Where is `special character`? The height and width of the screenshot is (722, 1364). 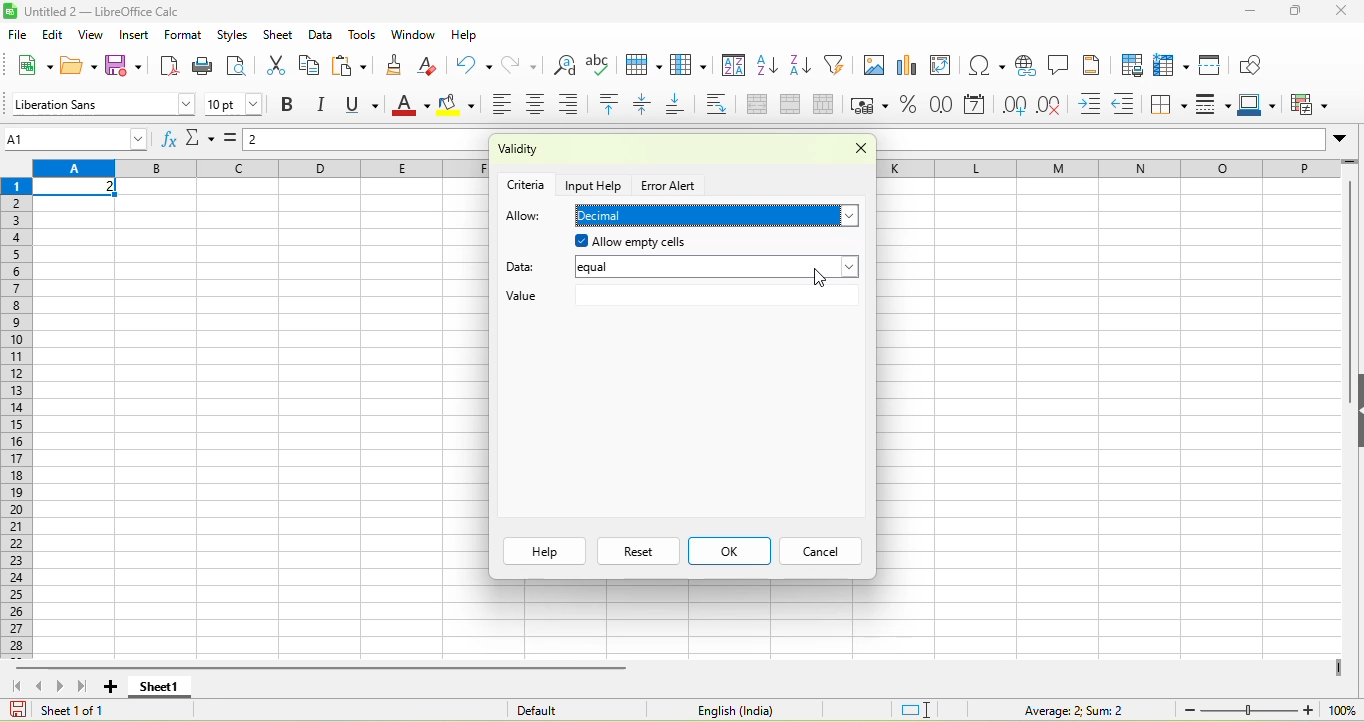
special character is located at coordinates (983, 65).